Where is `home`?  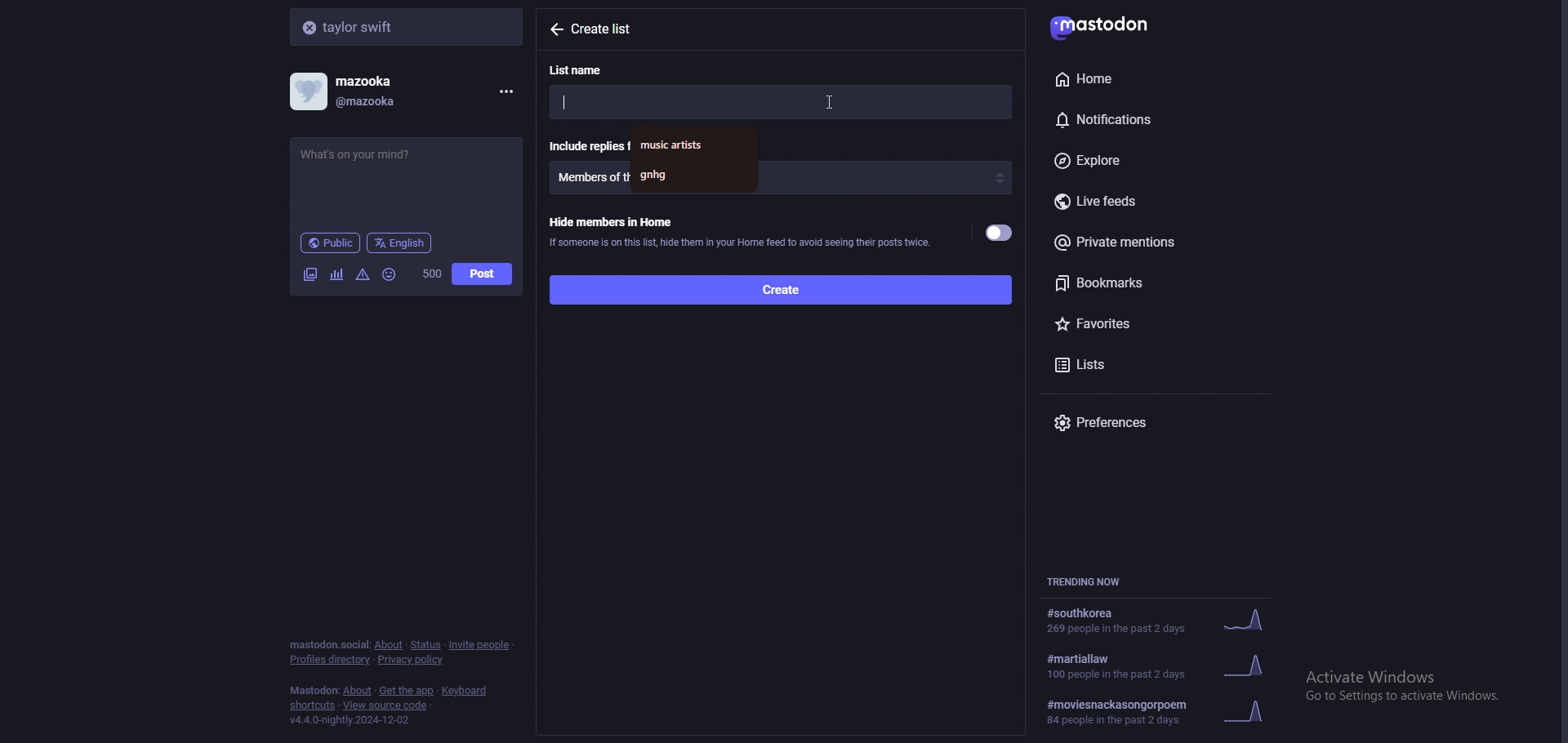
home is located at coordinates (1135, 78).